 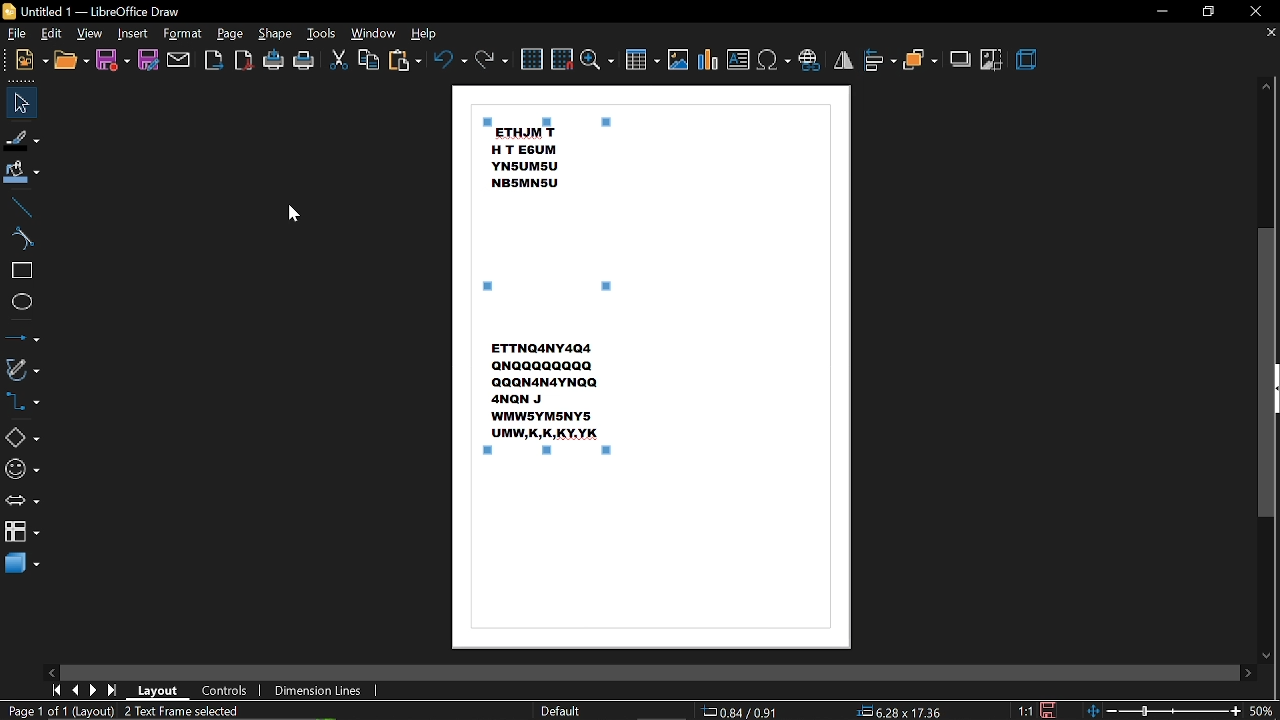 What do you see at coordinates (183, 34) in the screenshot?
I see `format` at bounding box center [183, 34].